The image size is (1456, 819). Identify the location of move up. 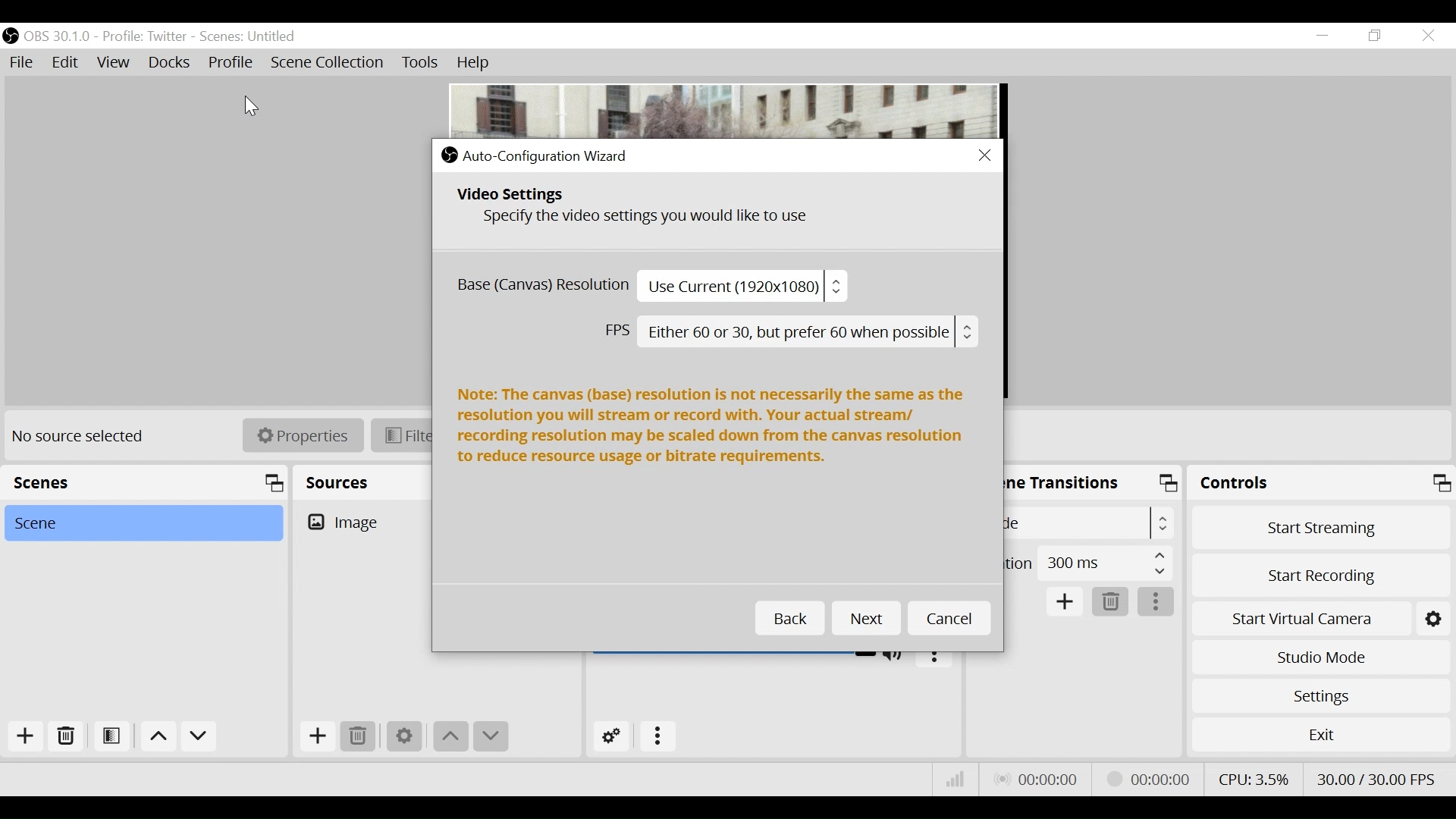
(158, 737).